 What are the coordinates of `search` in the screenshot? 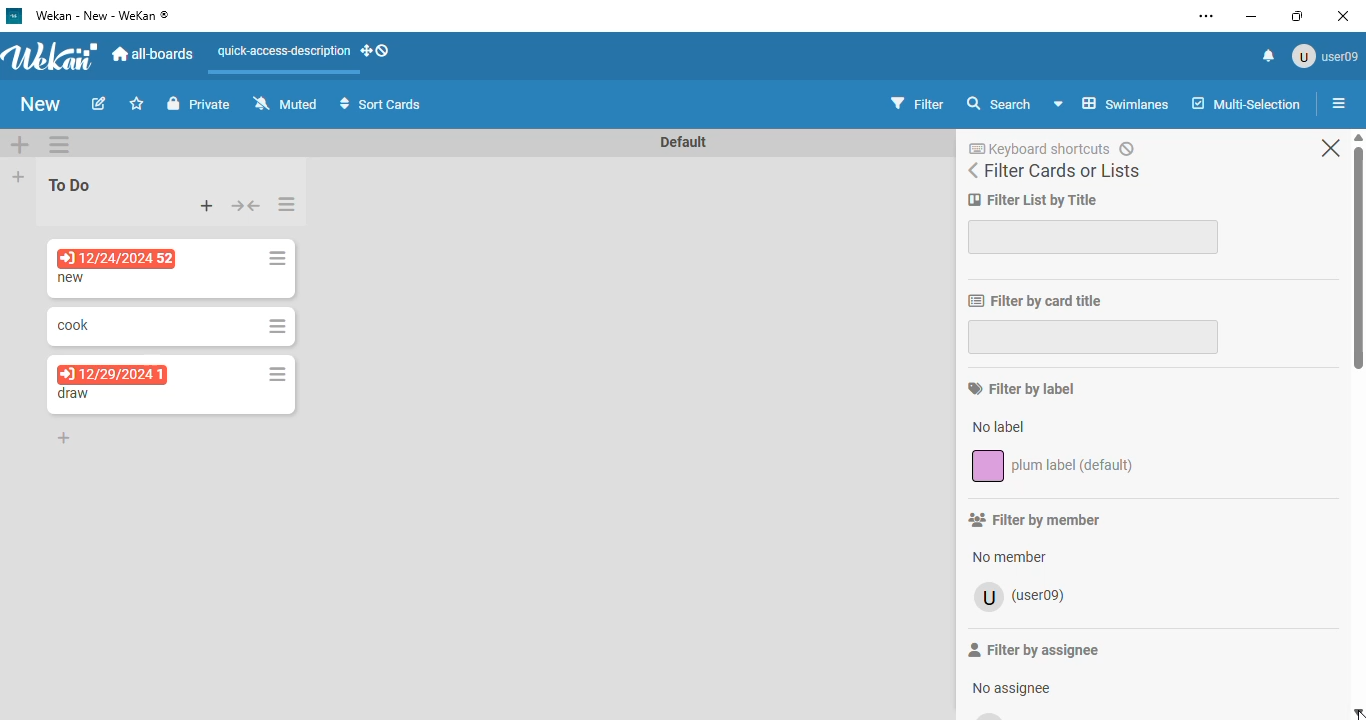 It's located at (999, 103).